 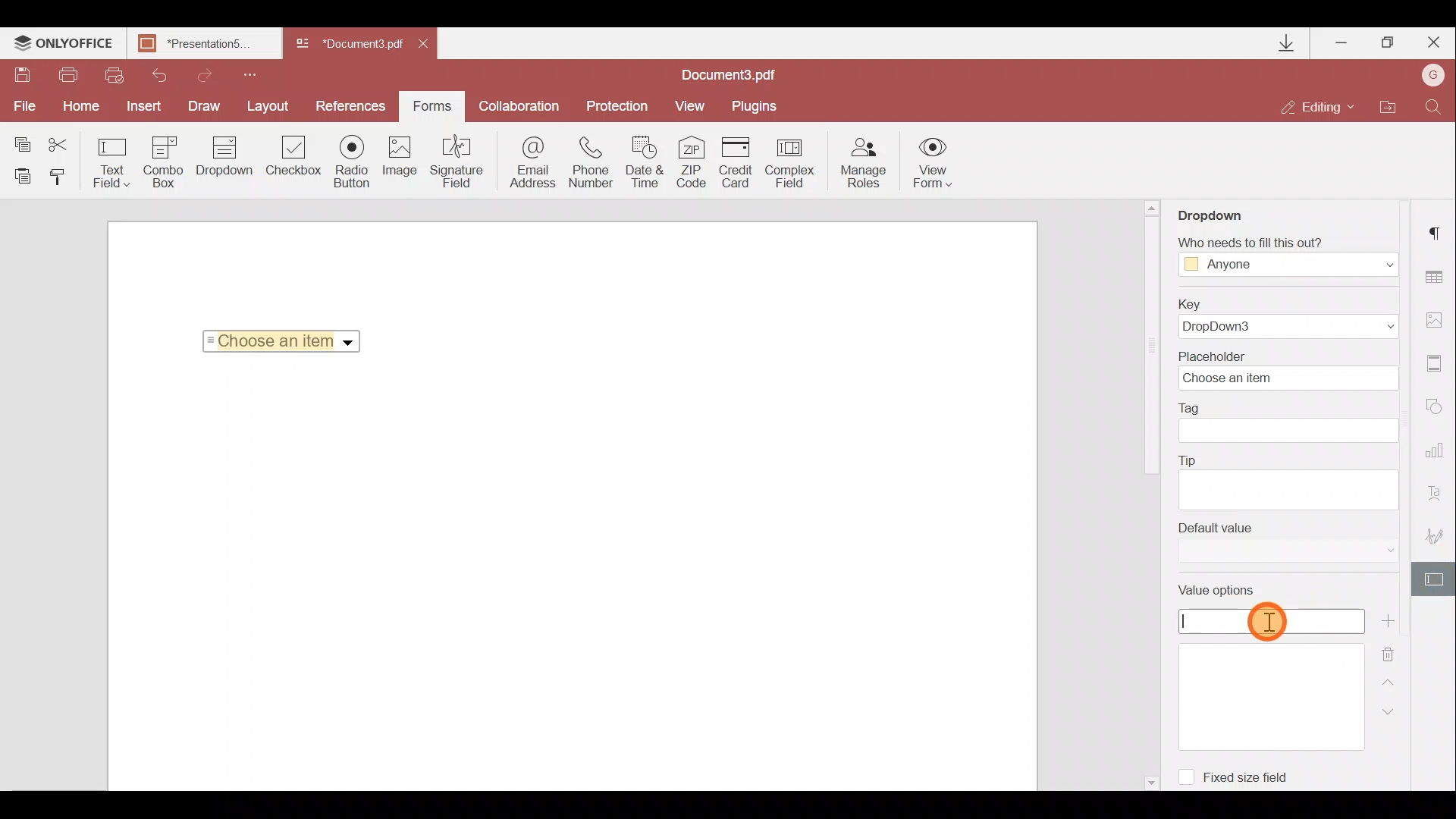 What do you see at coordinates (695, 162) in the screenshot?
I see `ZIP code` at bounding box center [695, 162].